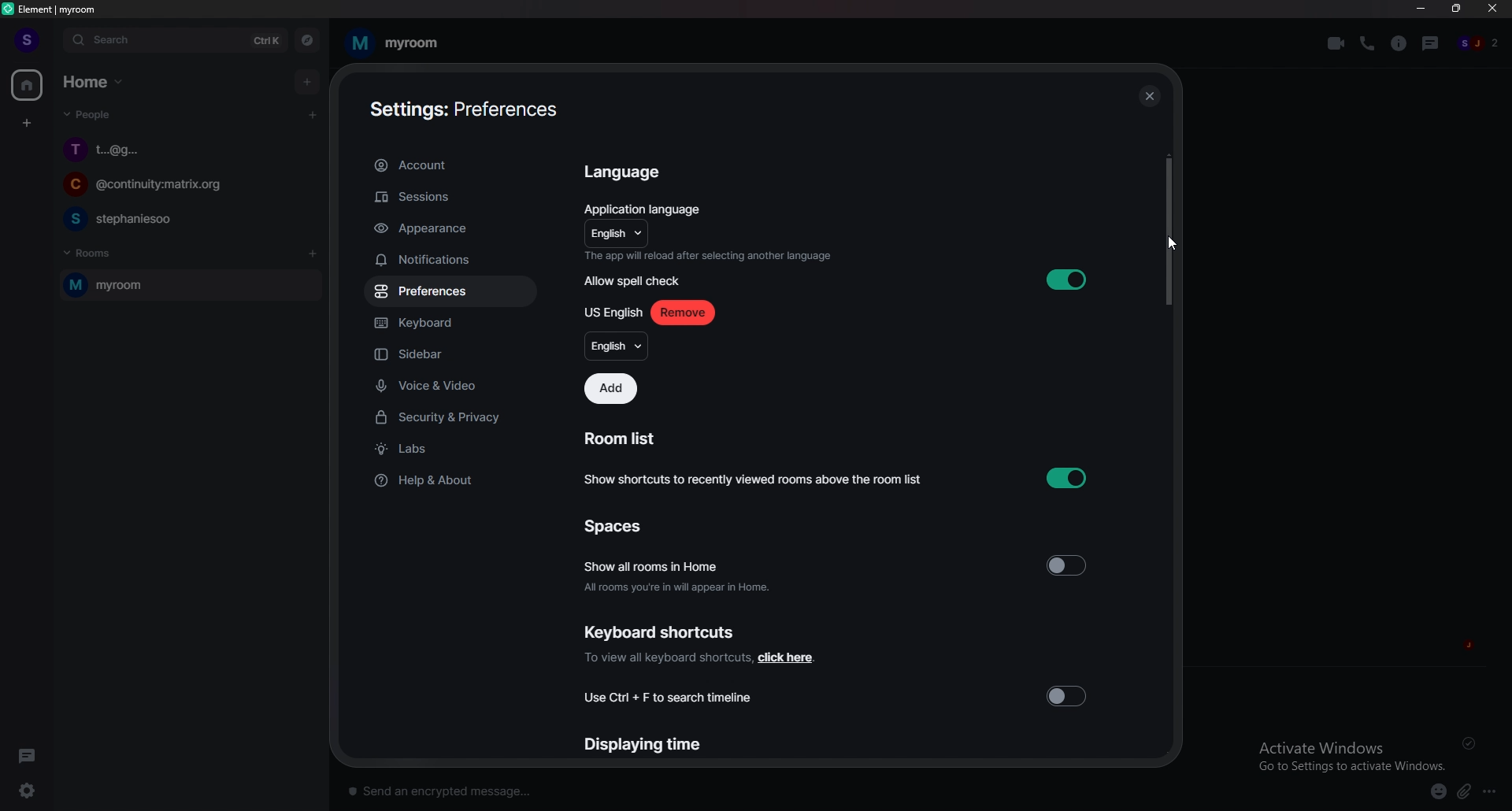 The width and height of the screenshot is (1512, 811). What do you see at coordinates (96, 80) in the screenshot?
I see `Home` at bounding box center [96, 80].